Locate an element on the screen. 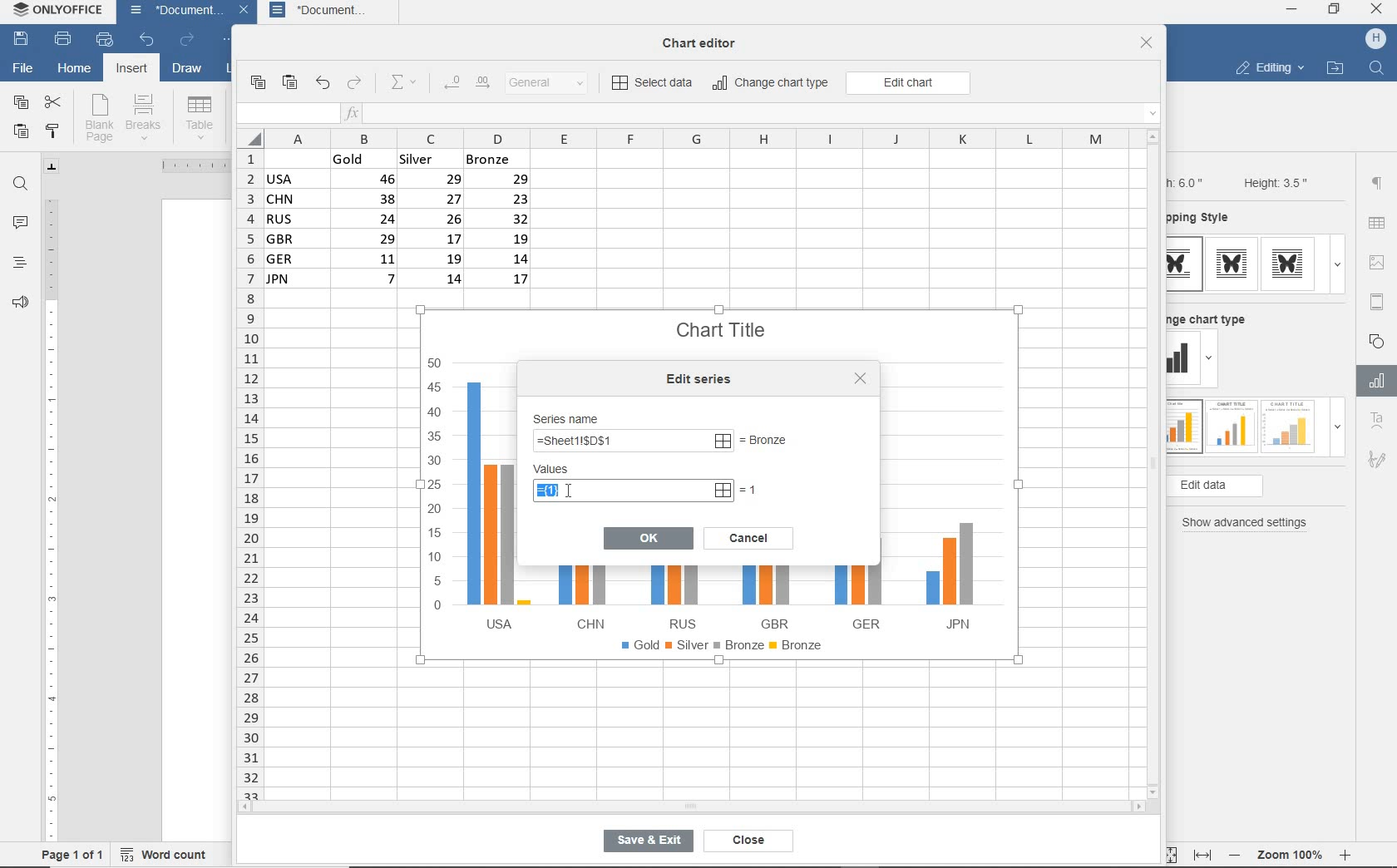  number format is located at coordinates (553, 84).